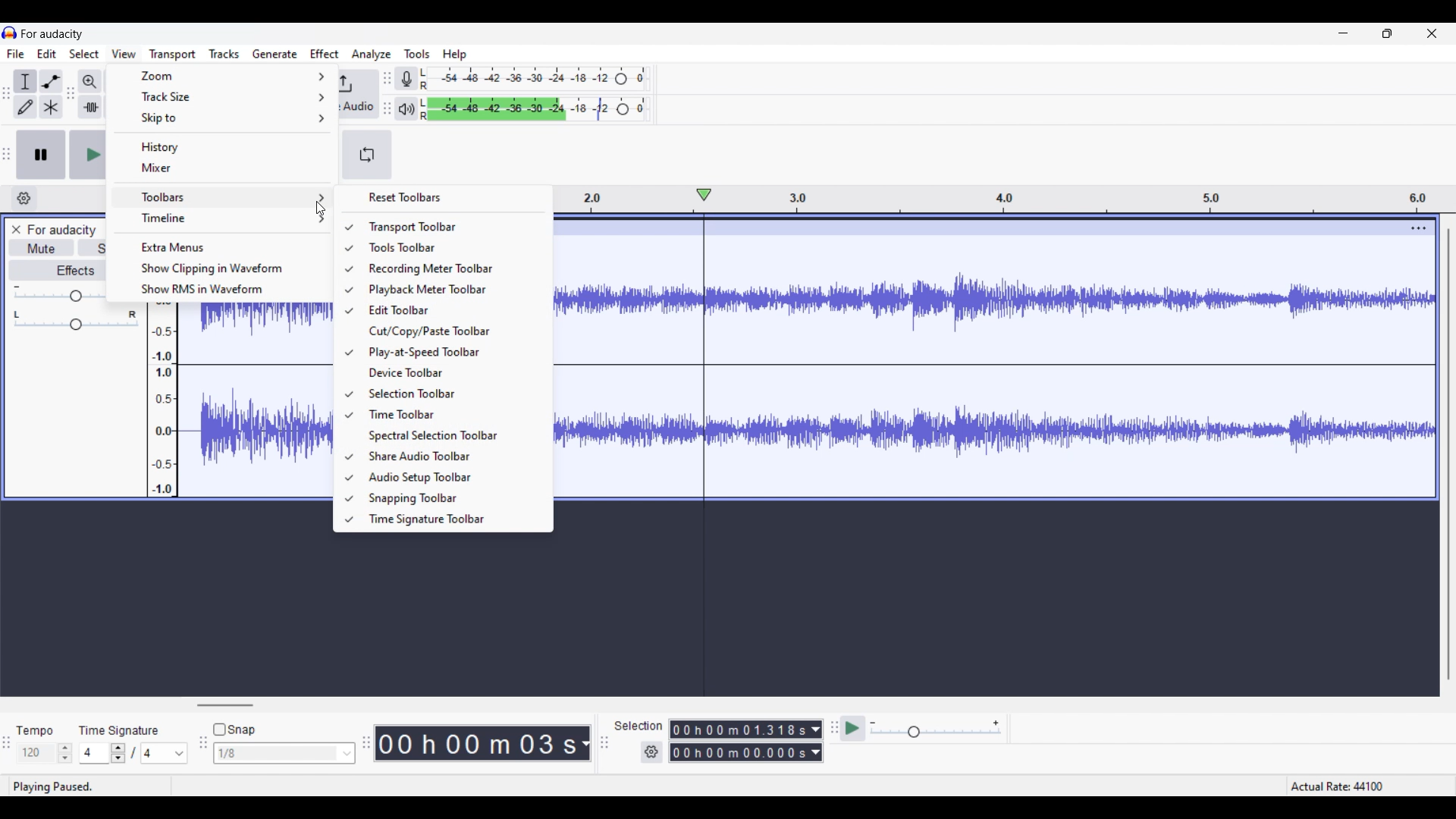  What do you see at coordinates (451, 269) in the screenshot?
I see `Recording meter toolbar ` at bounding box center [451, 269].